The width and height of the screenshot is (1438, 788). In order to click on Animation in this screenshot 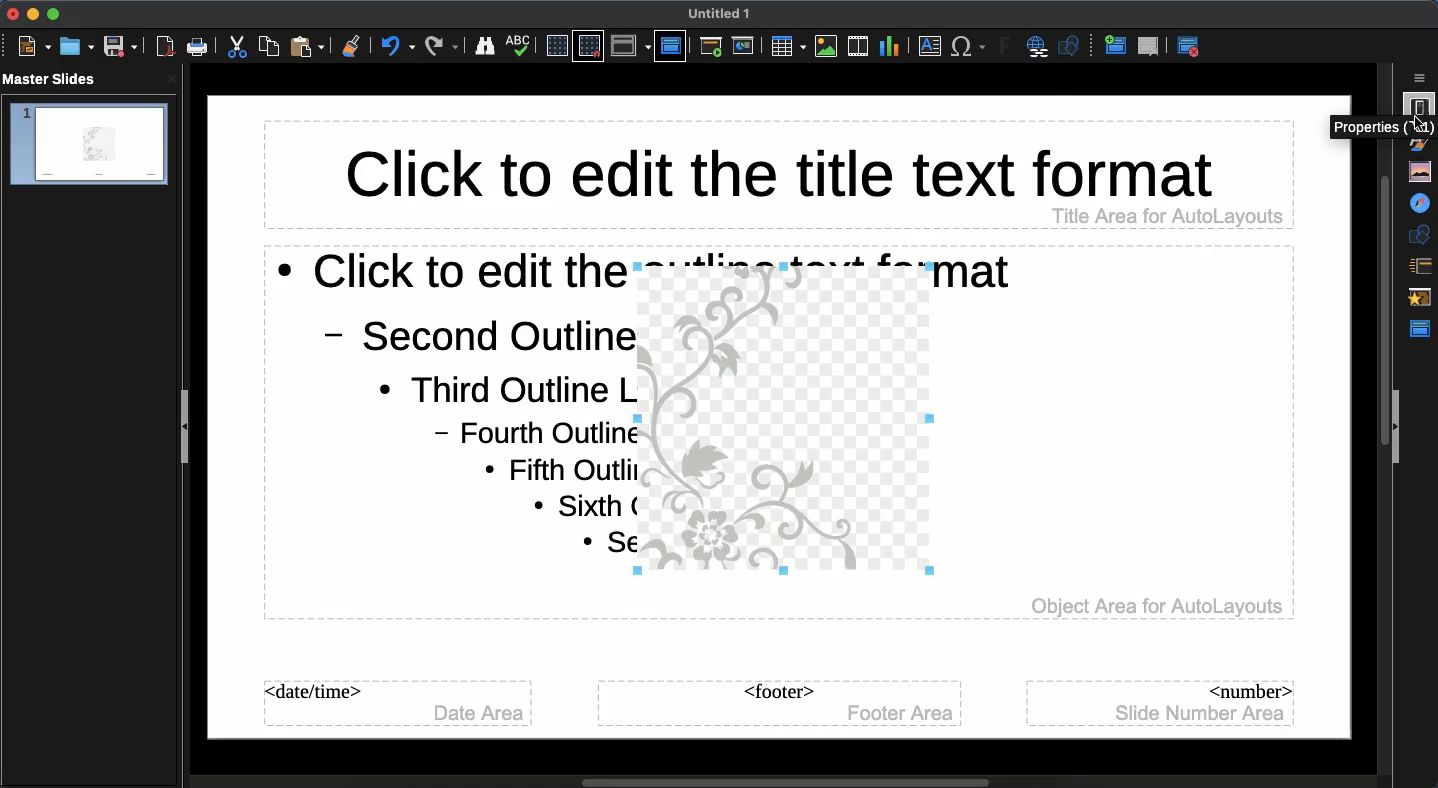, I will do `click(1422, 299)`.